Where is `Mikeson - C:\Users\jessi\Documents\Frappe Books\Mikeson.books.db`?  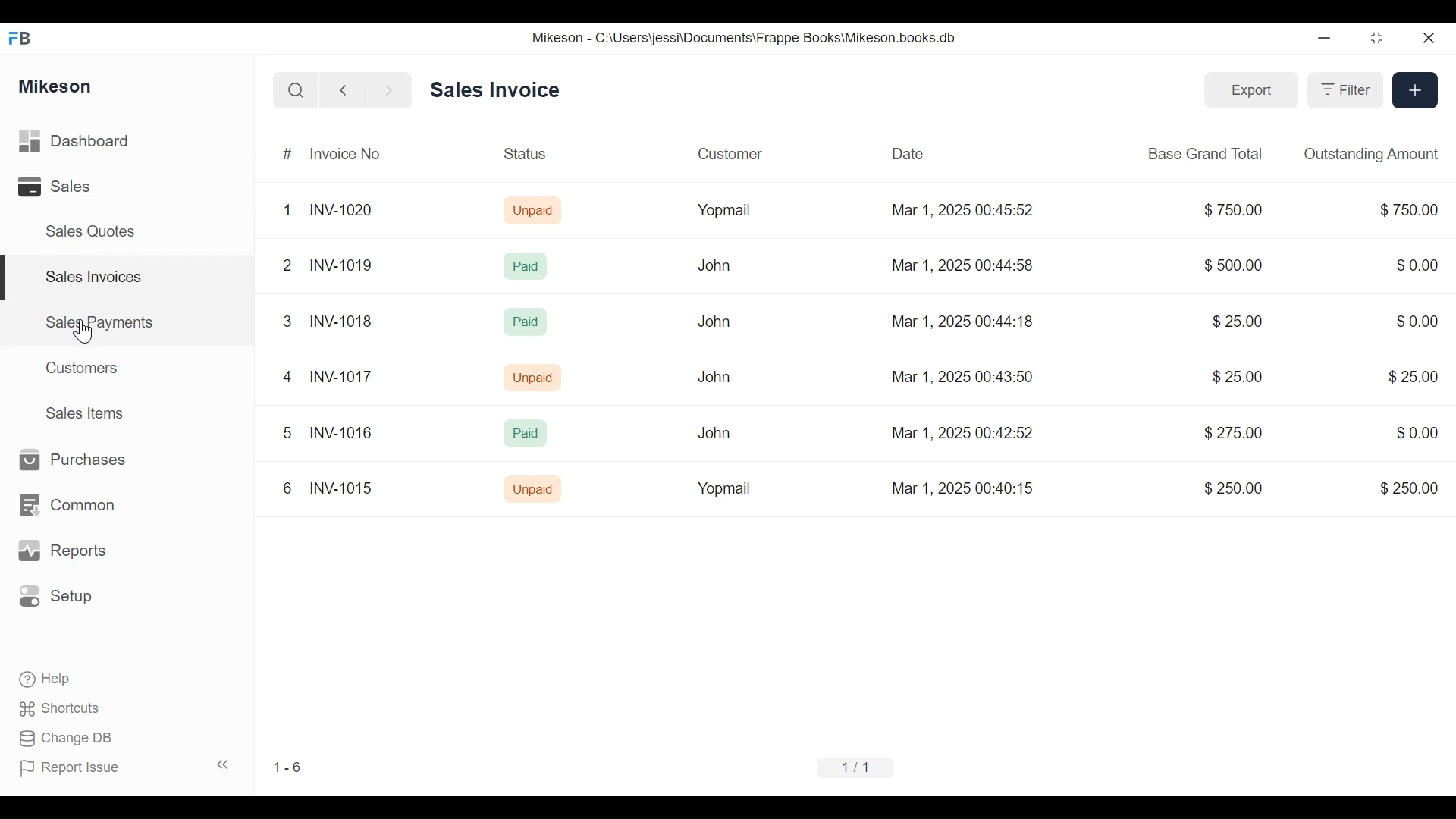
Mikeson - C:\Users\jessi\Documents\Frappe Books\Mikeson.books.db is located at coordinates (745, 38).